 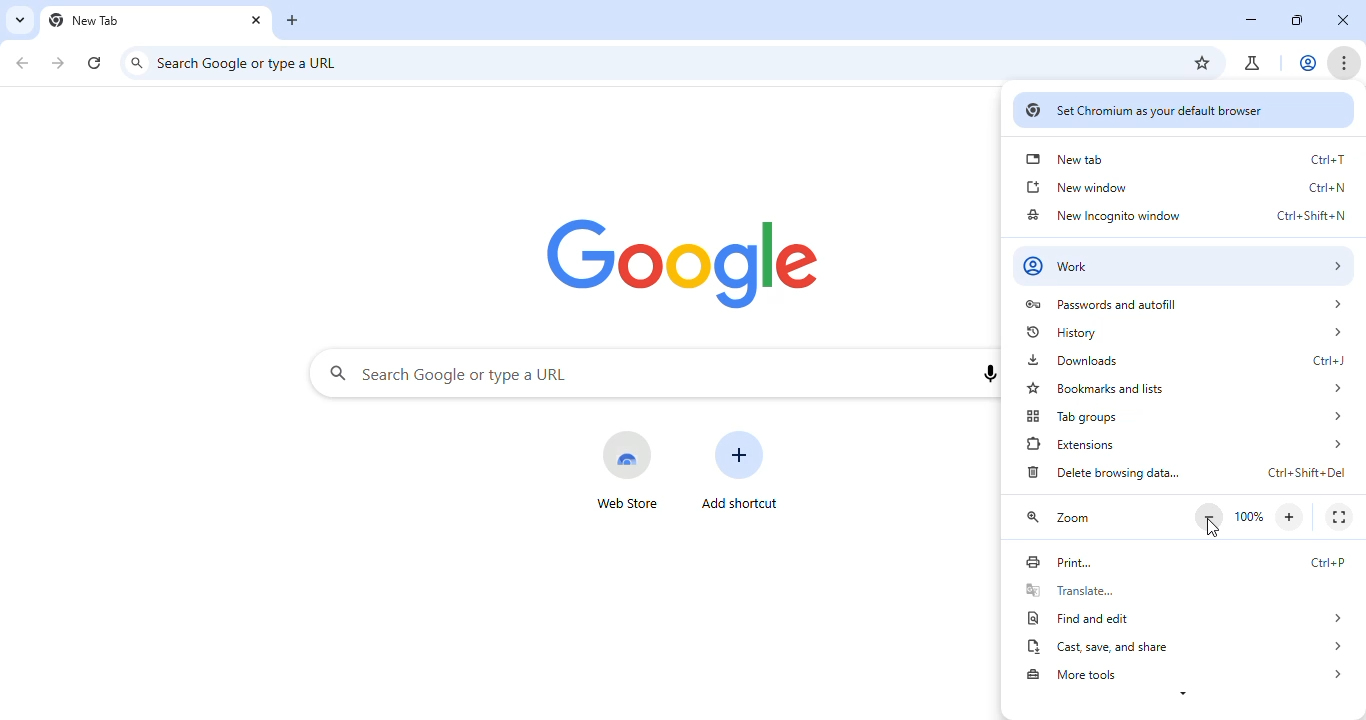 What do you see at coordinates (253, 62) in the screenshot?
I see `search google or type a URL` at bounding box center [253, 62].